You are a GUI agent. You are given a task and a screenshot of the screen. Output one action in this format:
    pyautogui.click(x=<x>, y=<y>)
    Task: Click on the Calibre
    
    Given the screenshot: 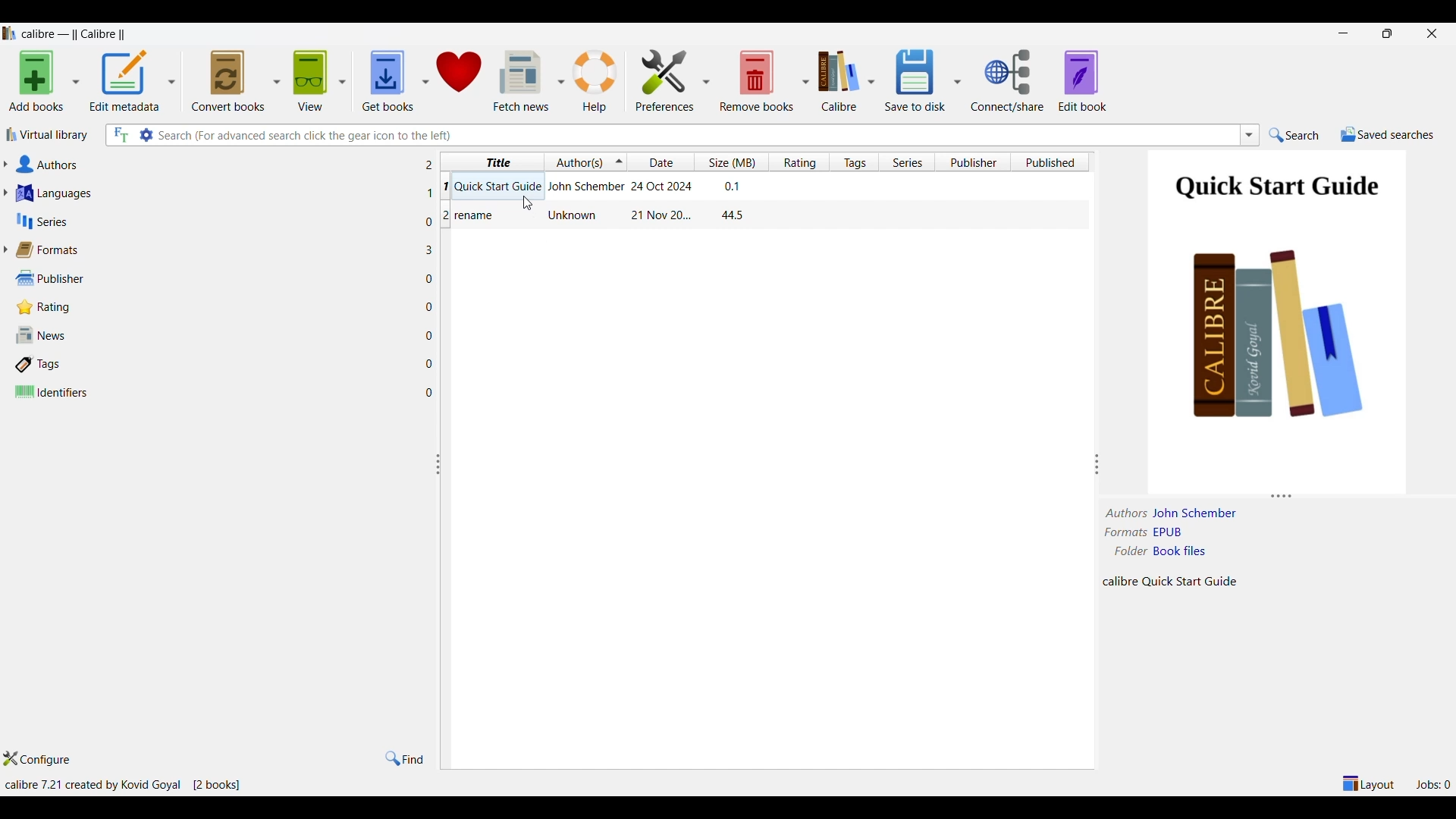 What is the action you would take?
    pyautogui.click(x=838, y=81)
    